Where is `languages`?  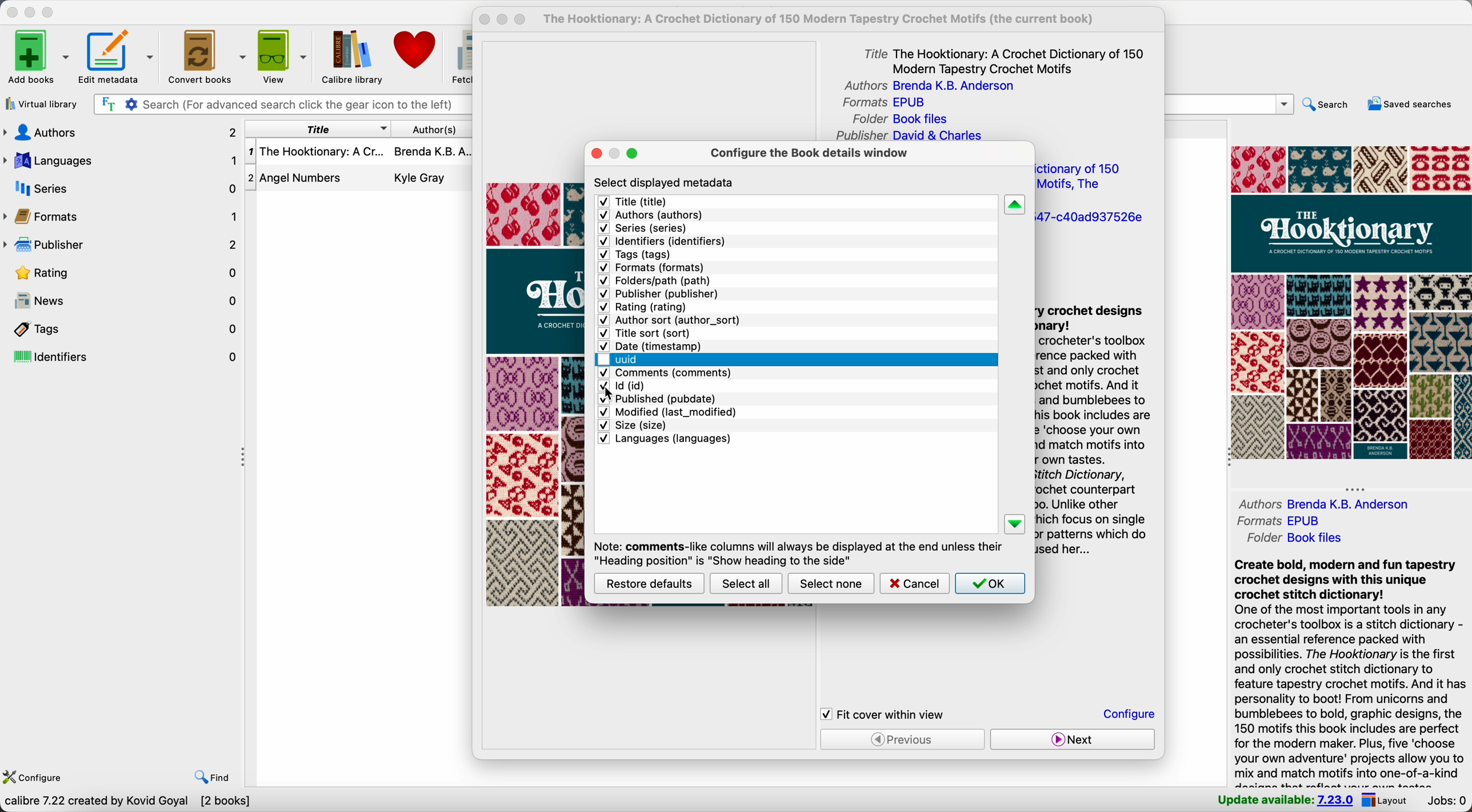 languages is located at coordinates (665, 441).